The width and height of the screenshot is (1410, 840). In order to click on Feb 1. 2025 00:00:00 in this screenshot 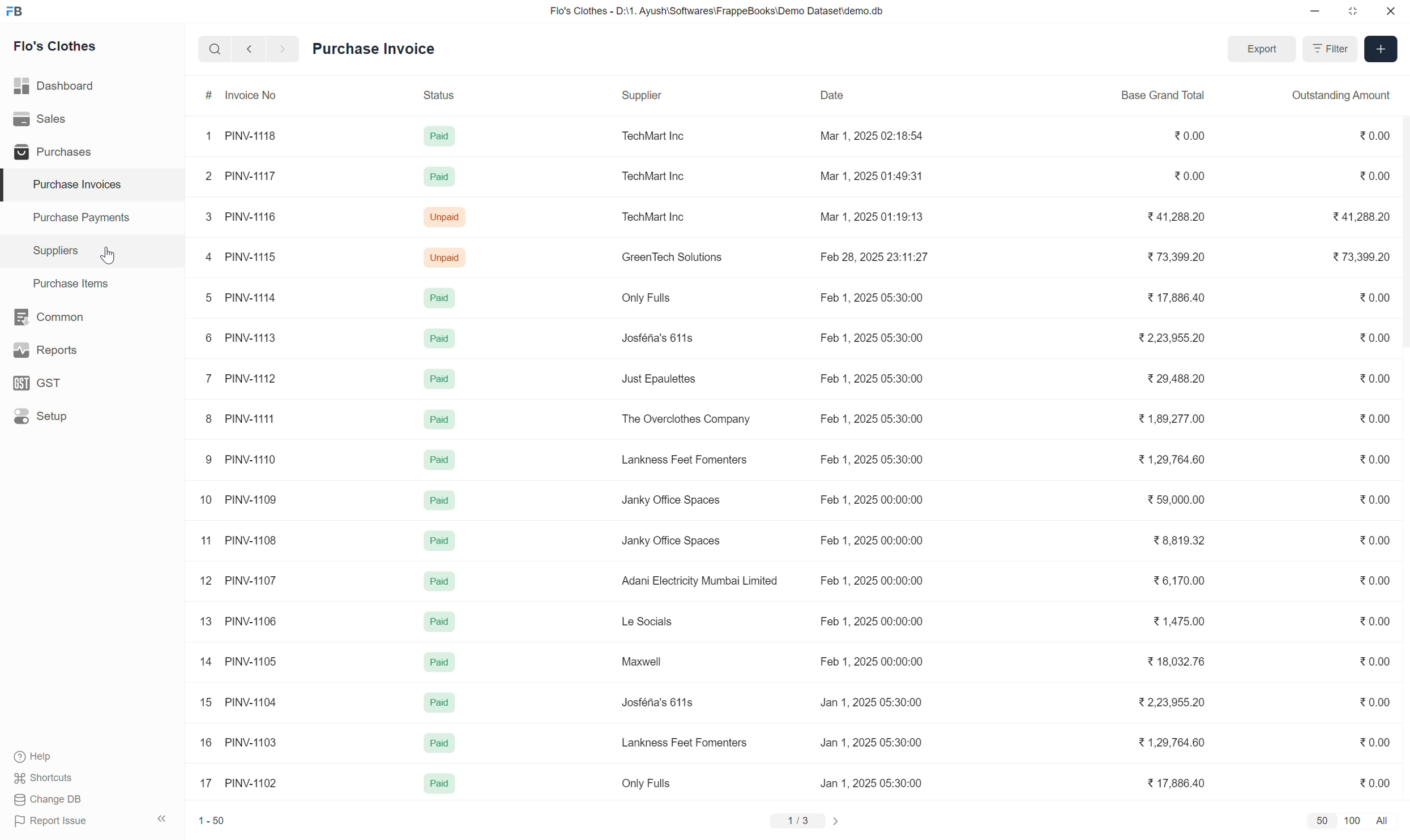, I will do `click(877, 497)`.